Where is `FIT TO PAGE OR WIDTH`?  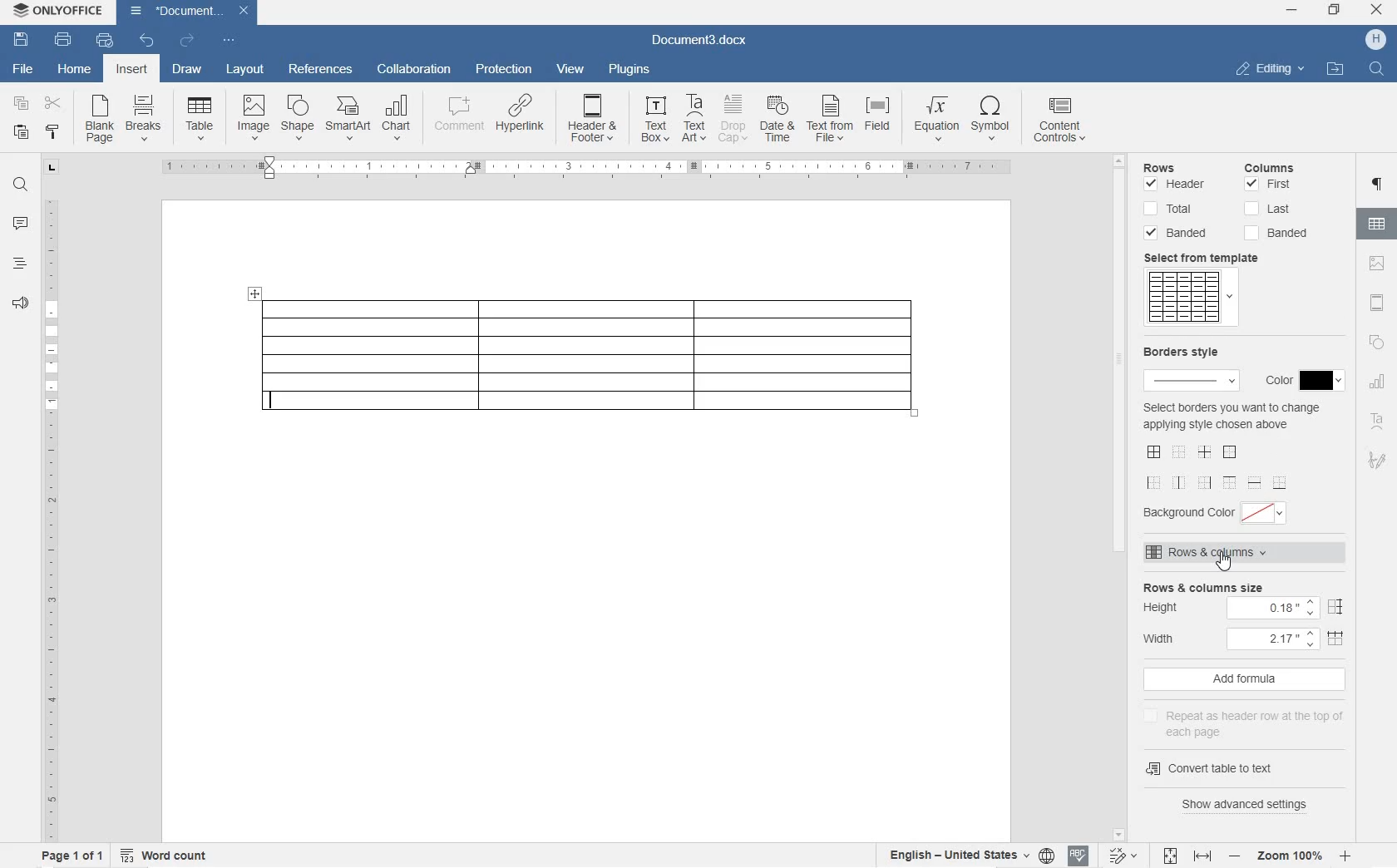
FIT TO PAGE OR WIDTH is located at coordinates (1184, 857).